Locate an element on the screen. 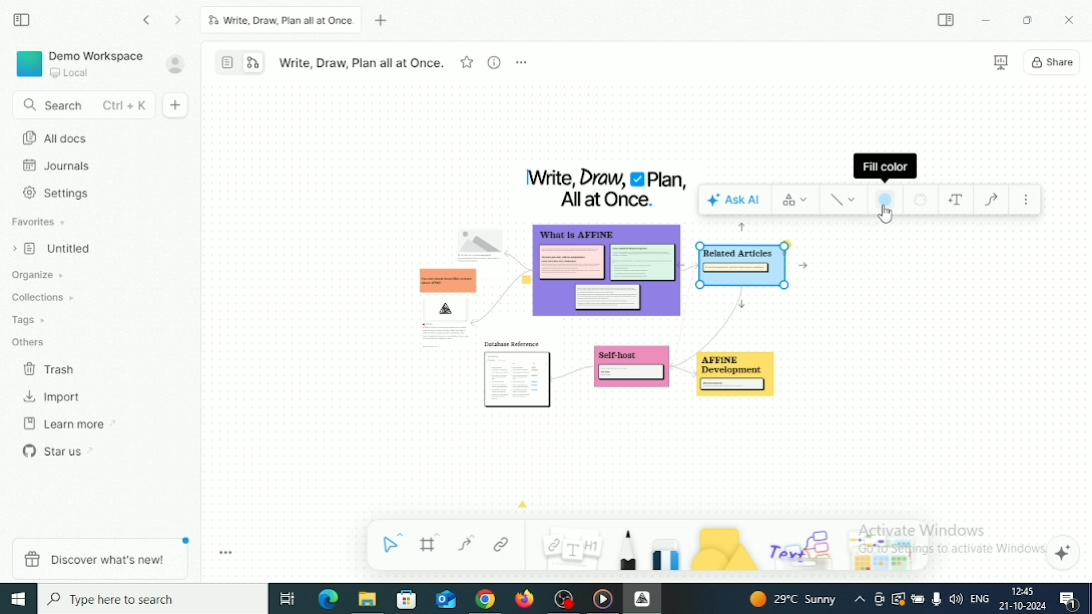 This screenshot has width=1092, height=614. Link is located at coordinates (502, 544).